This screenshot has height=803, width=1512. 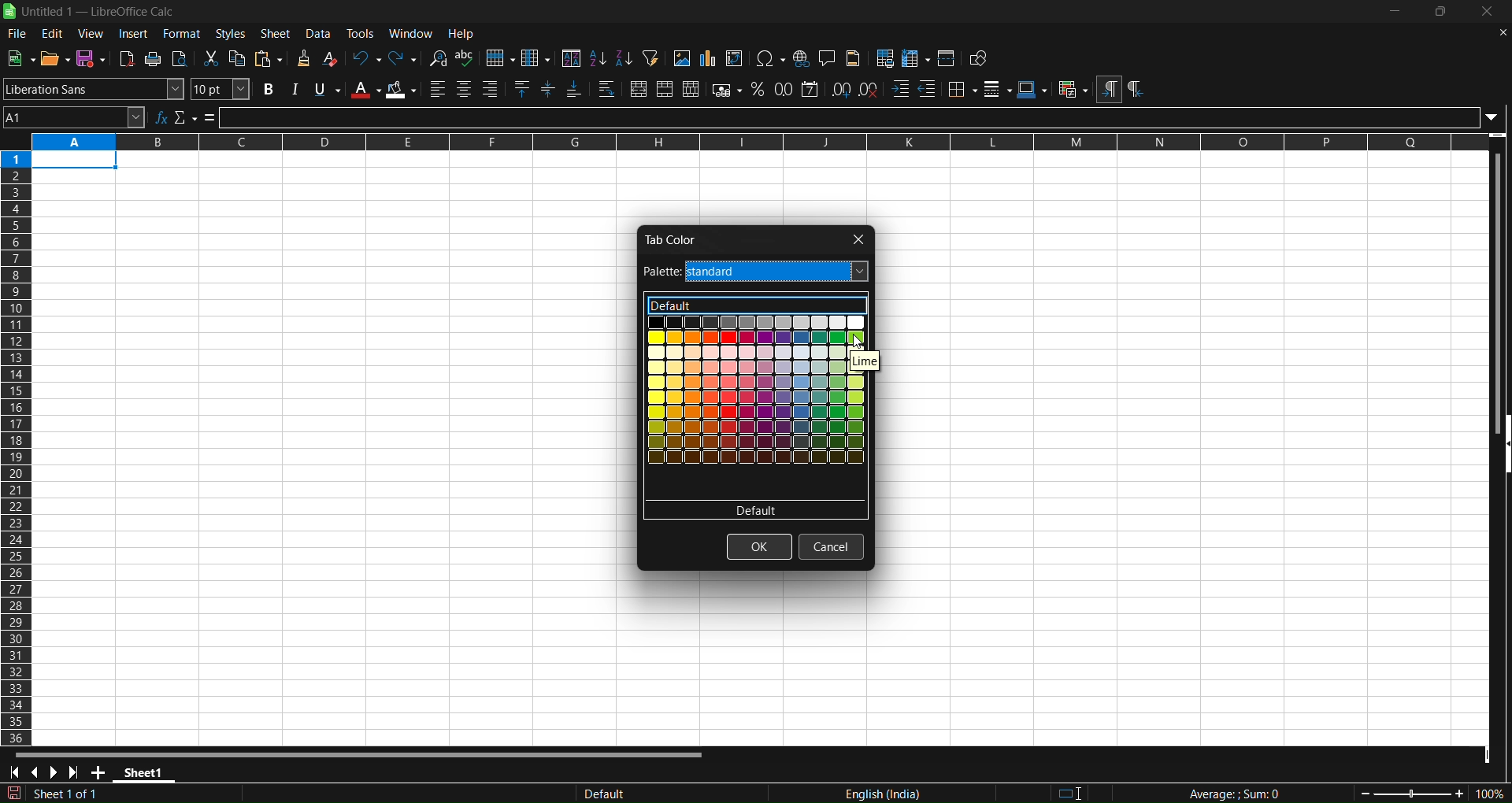 I want to click on split window, so click(x=948, y=58).